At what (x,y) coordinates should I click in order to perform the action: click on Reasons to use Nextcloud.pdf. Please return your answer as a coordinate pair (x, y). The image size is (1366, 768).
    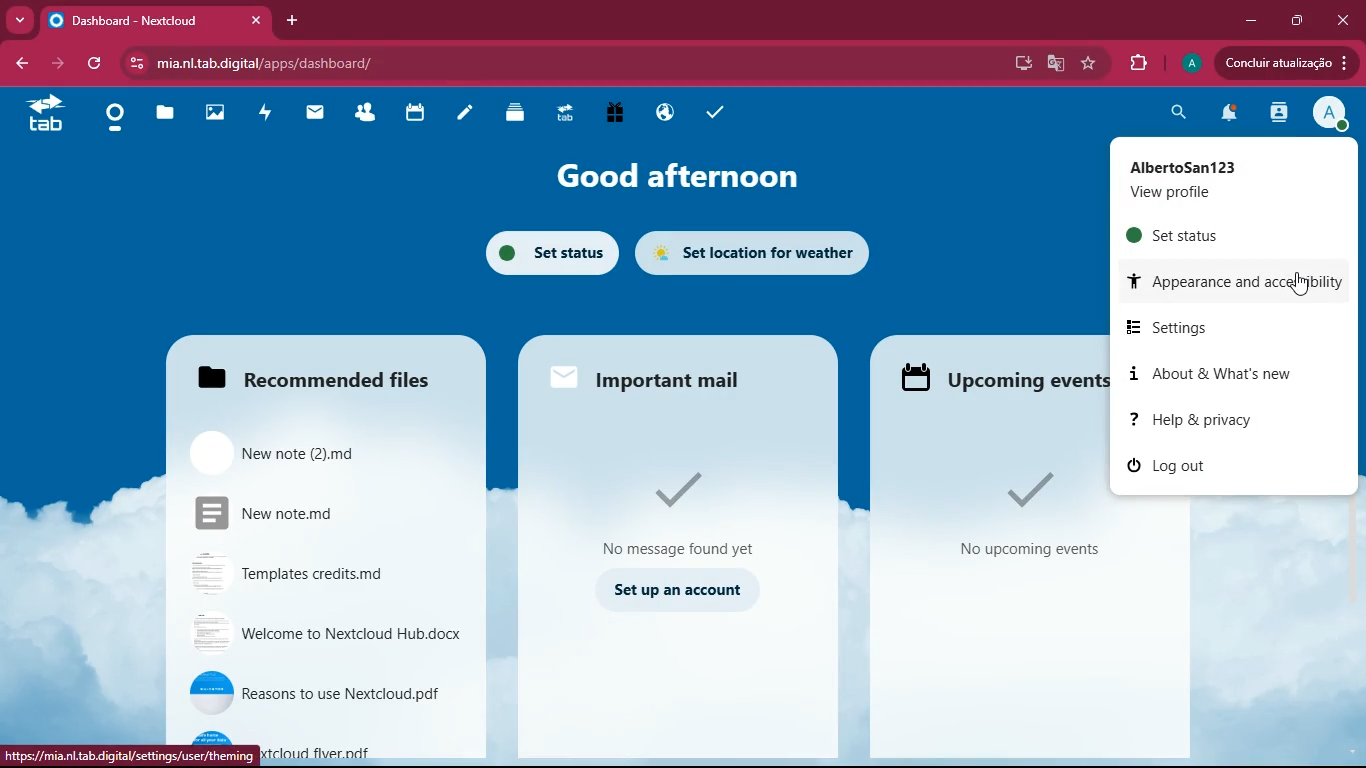
    Looking at the image, I should click on (322, 694).